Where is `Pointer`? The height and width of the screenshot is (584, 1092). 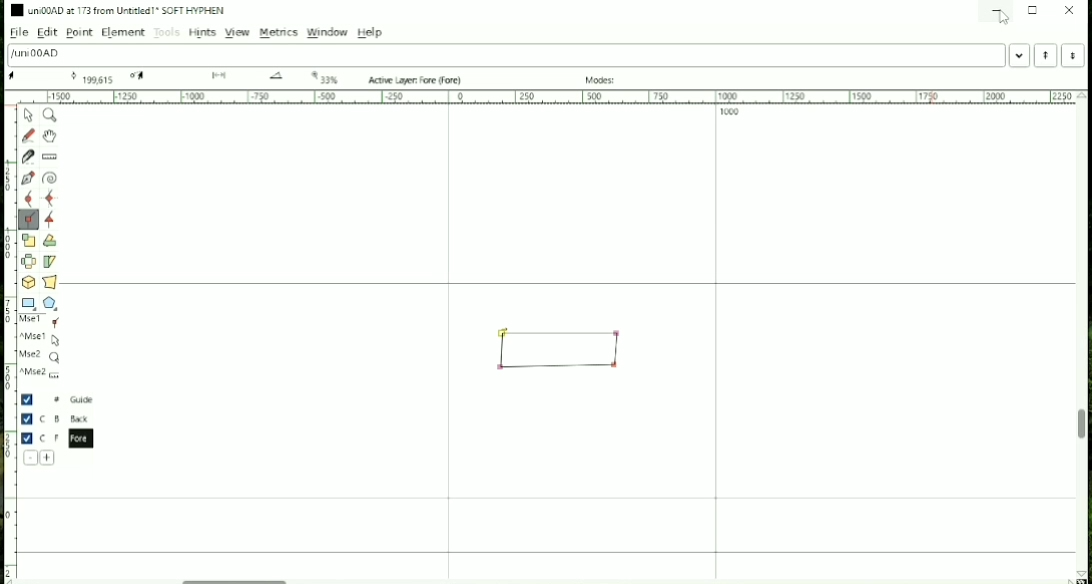 Pointer is located at coordinates (30, 115).